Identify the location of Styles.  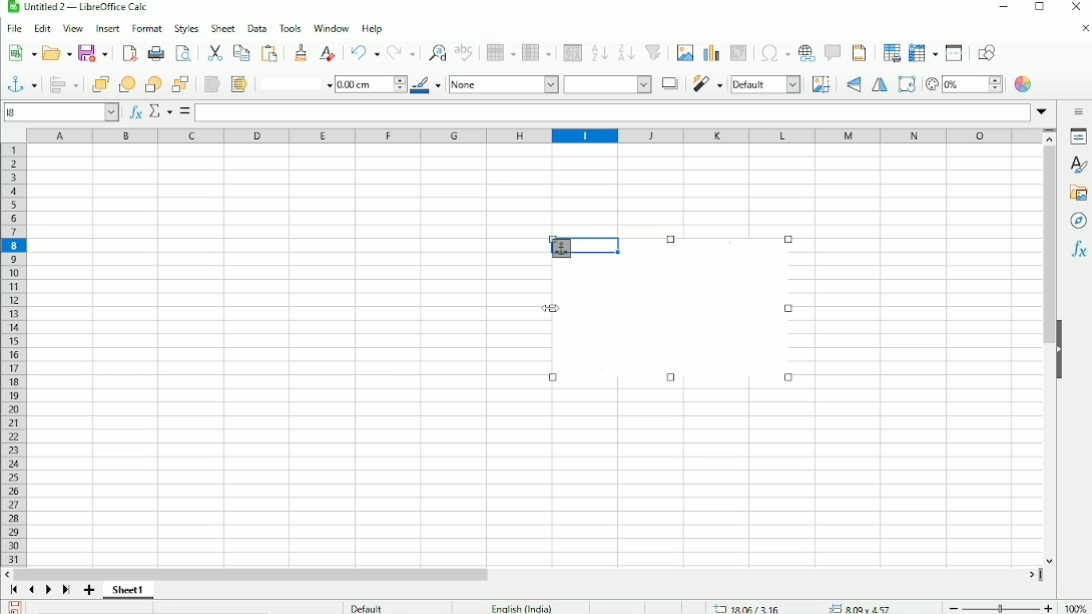
(1076, 164).